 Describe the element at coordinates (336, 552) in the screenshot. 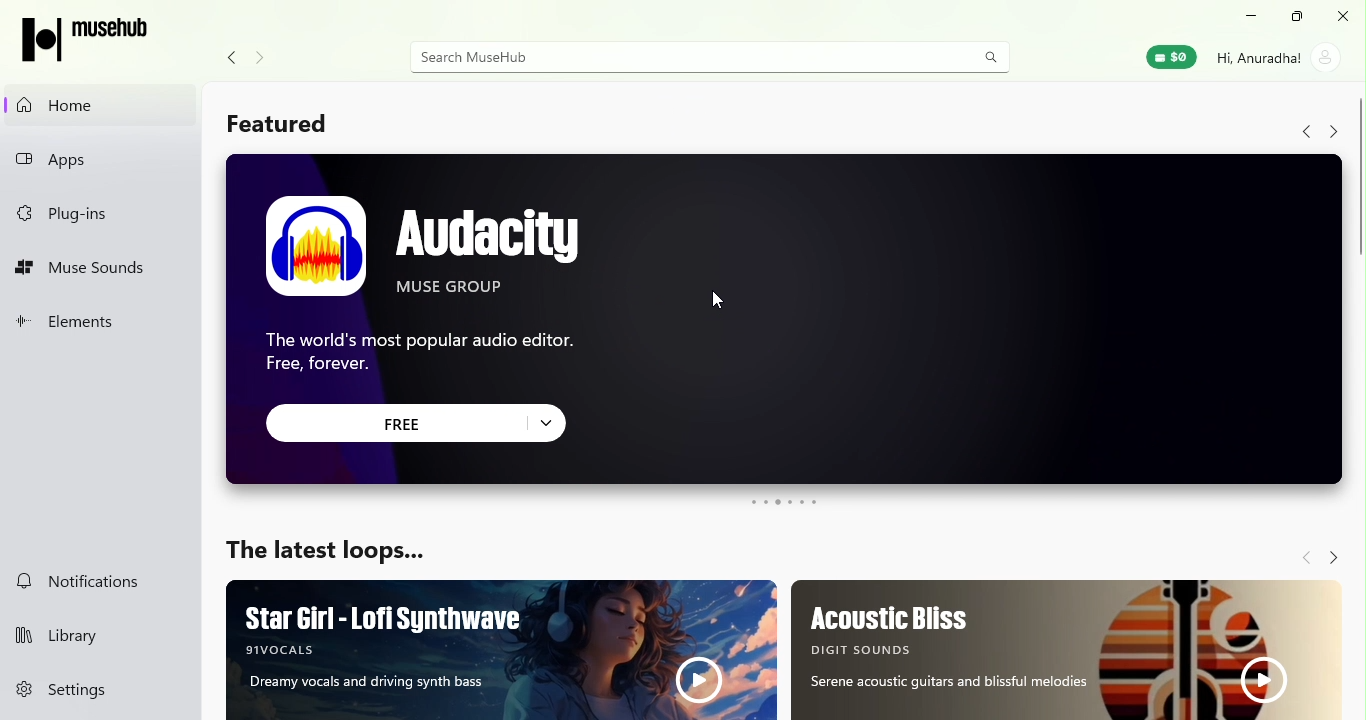

I see `The latest loops` at that location.